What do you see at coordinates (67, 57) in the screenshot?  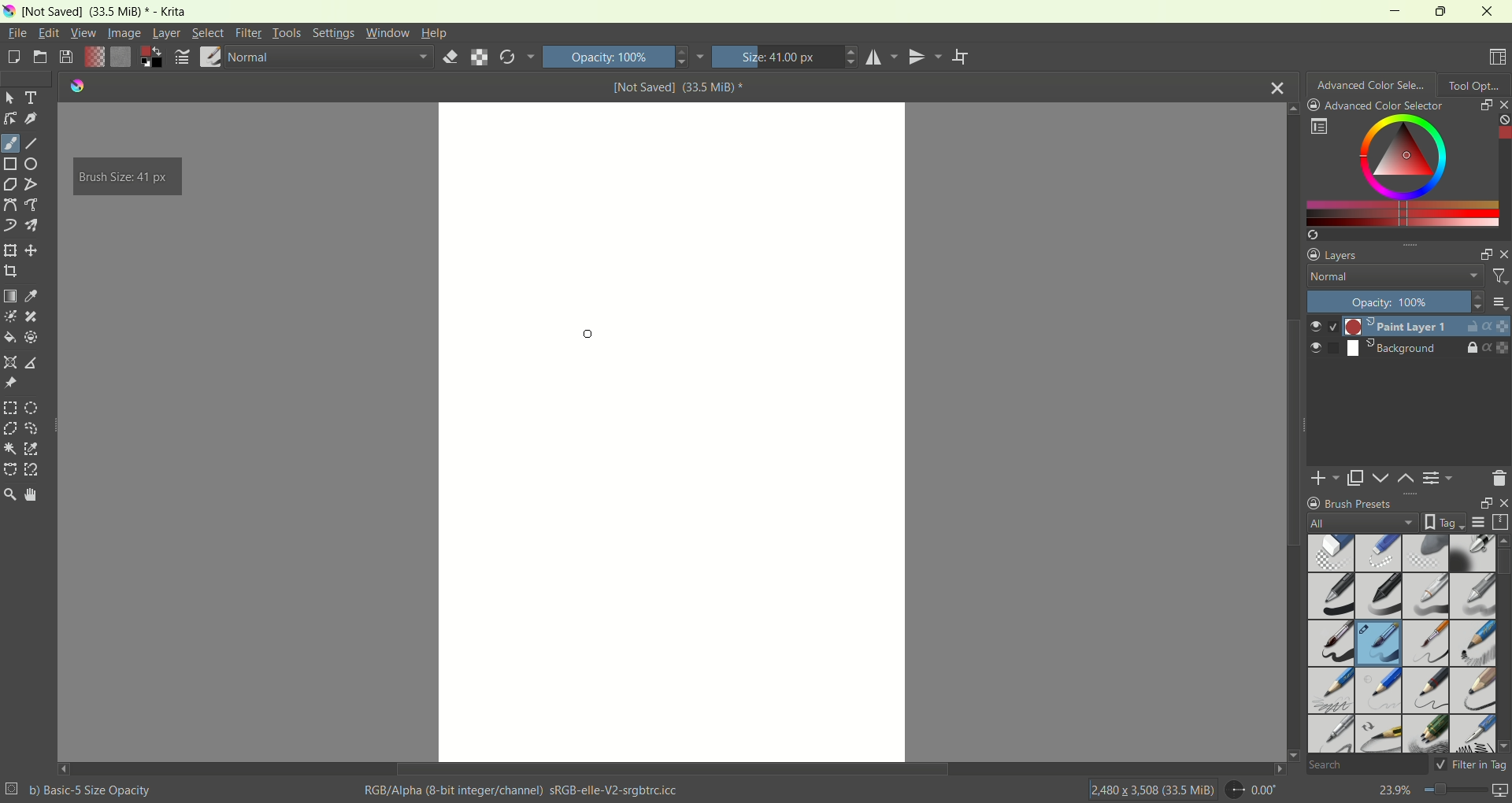 I see `save` at bounding box center [67, 57].